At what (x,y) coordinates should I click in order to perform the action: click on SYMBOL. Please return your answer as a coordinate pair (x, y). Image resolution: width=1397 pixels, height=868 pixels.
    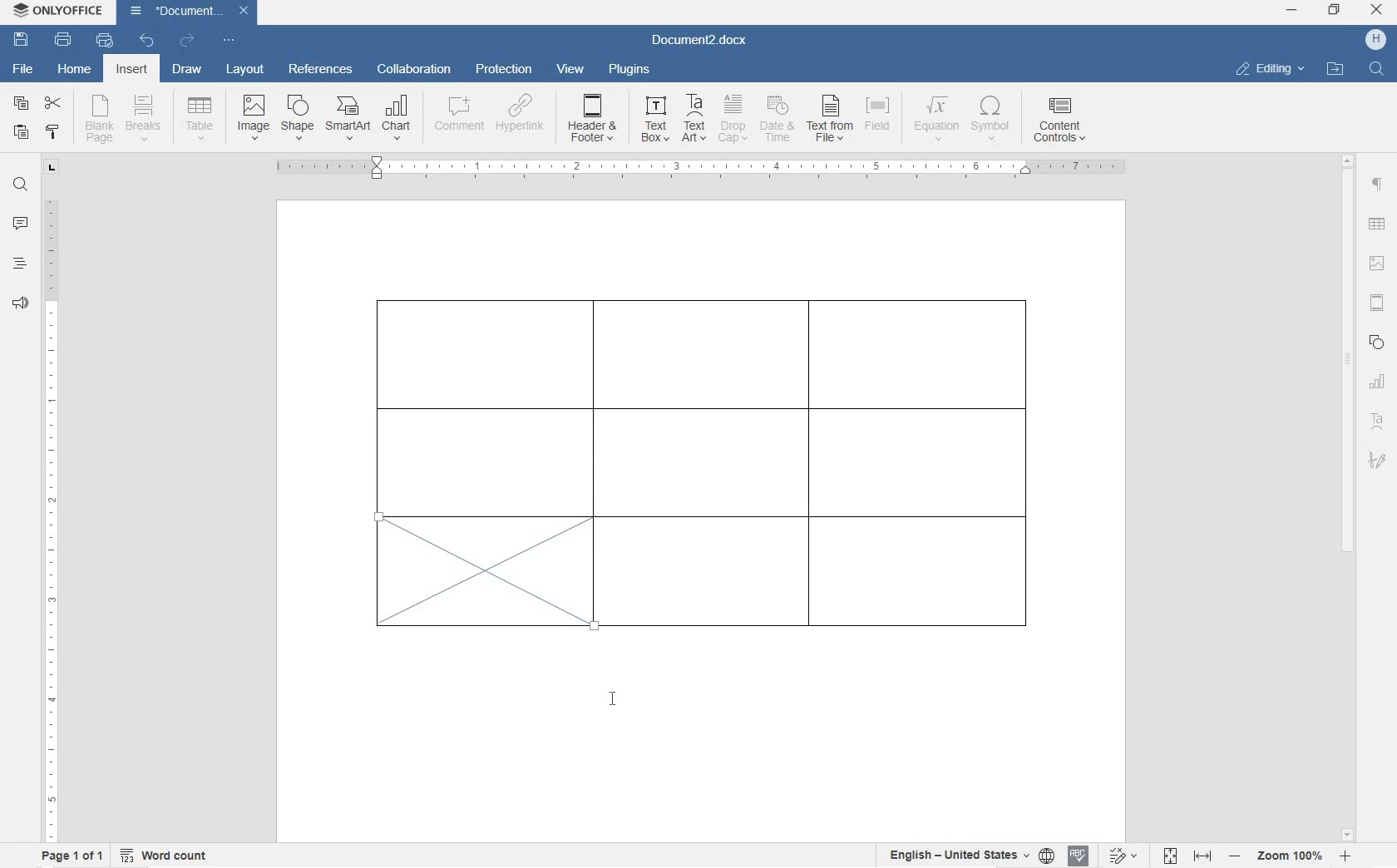
    Looking at the image, I should click on (992, 121).